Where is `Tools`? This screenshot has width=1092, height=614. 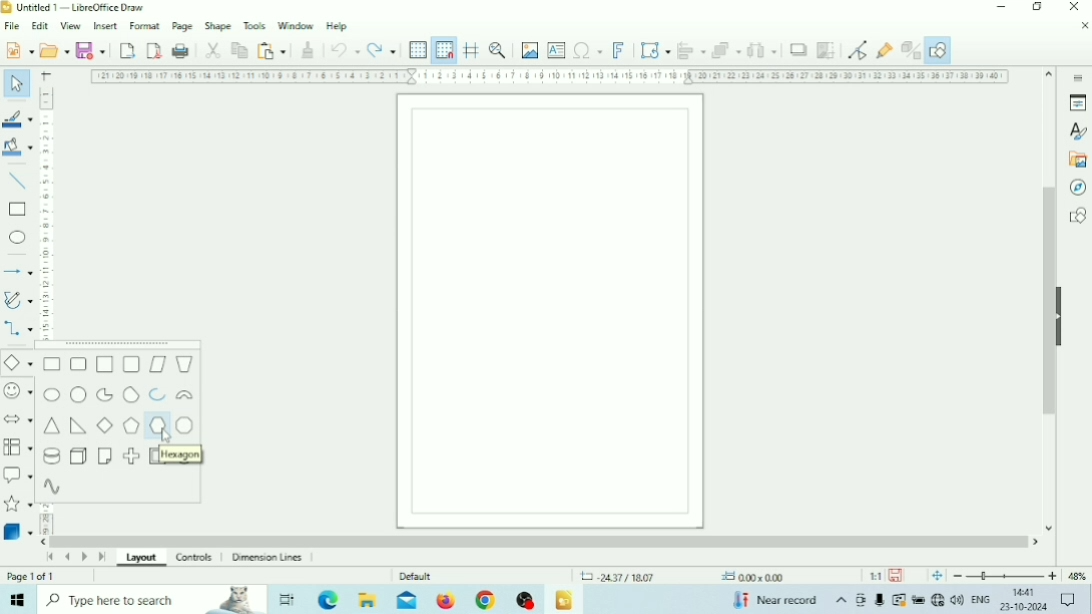
Tools is located at coordinates (255, 25).